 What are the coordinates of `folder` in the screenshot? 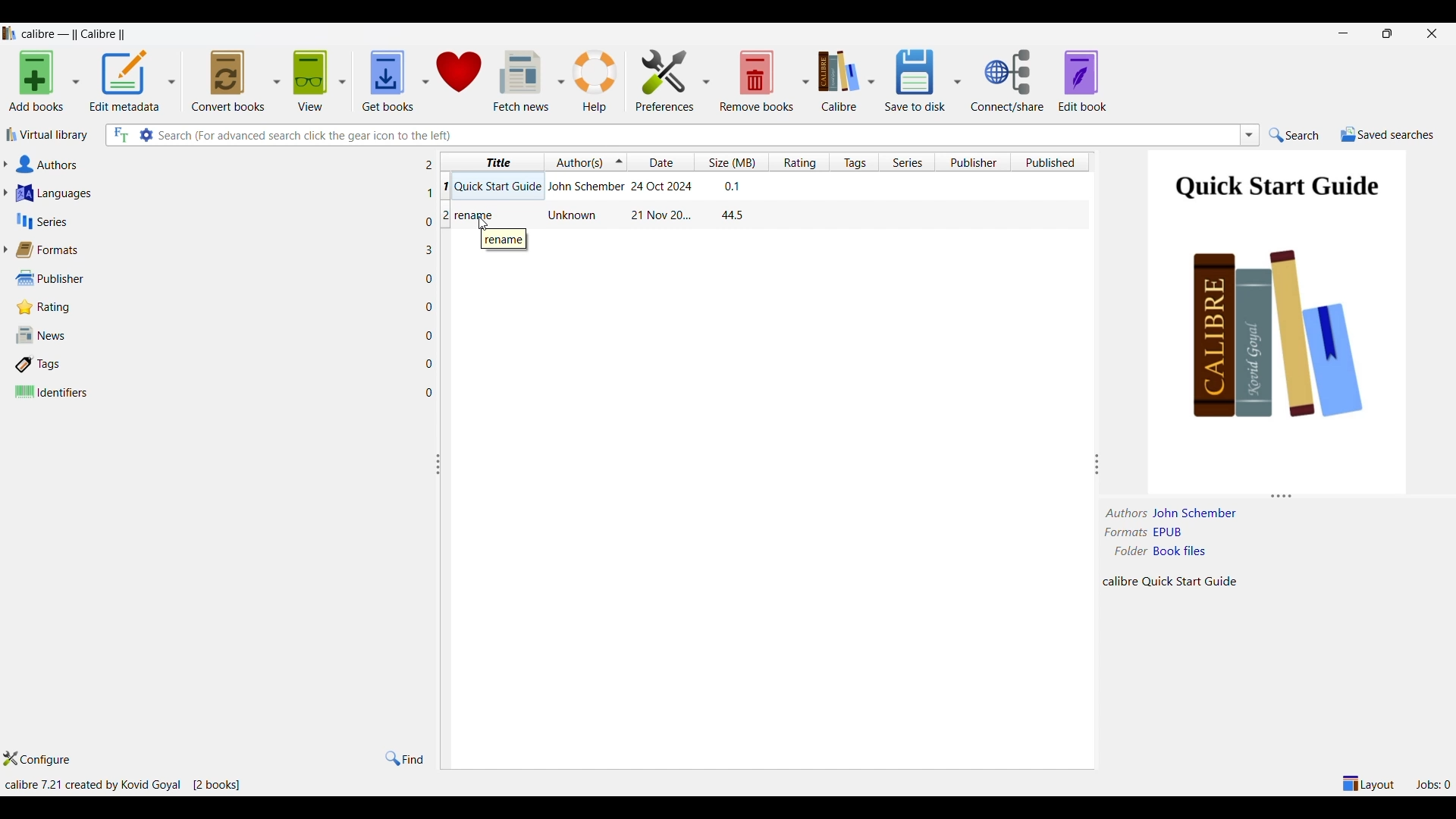 It's located at (1128, 552).